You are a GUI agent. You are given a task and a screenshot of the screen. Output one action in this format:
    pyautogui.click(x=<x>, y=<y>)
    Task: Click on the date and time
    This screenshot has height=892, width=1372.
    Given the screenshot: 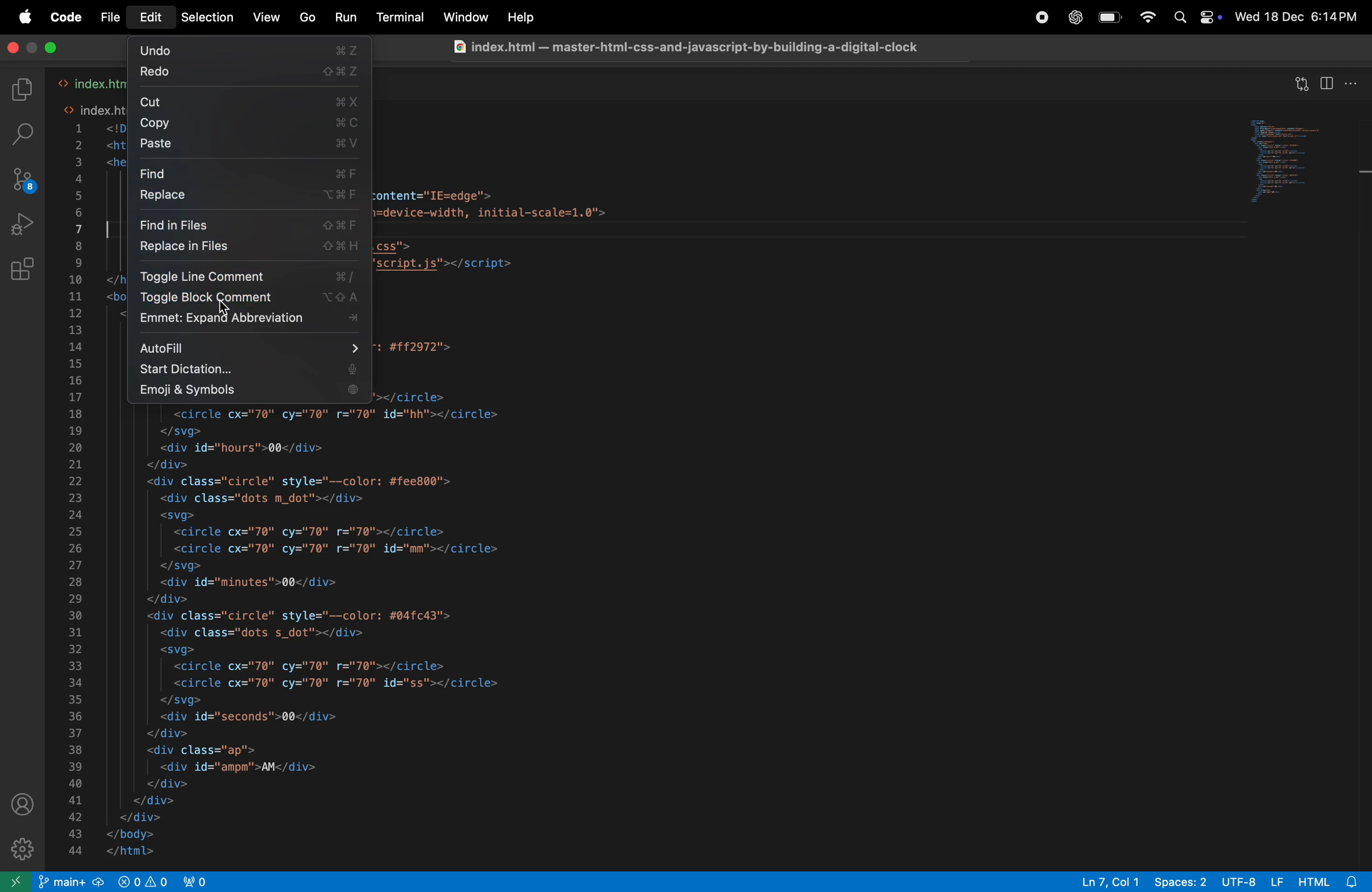 What is the action you would take?
    pyautogui.click(x=1299, y=16)
    